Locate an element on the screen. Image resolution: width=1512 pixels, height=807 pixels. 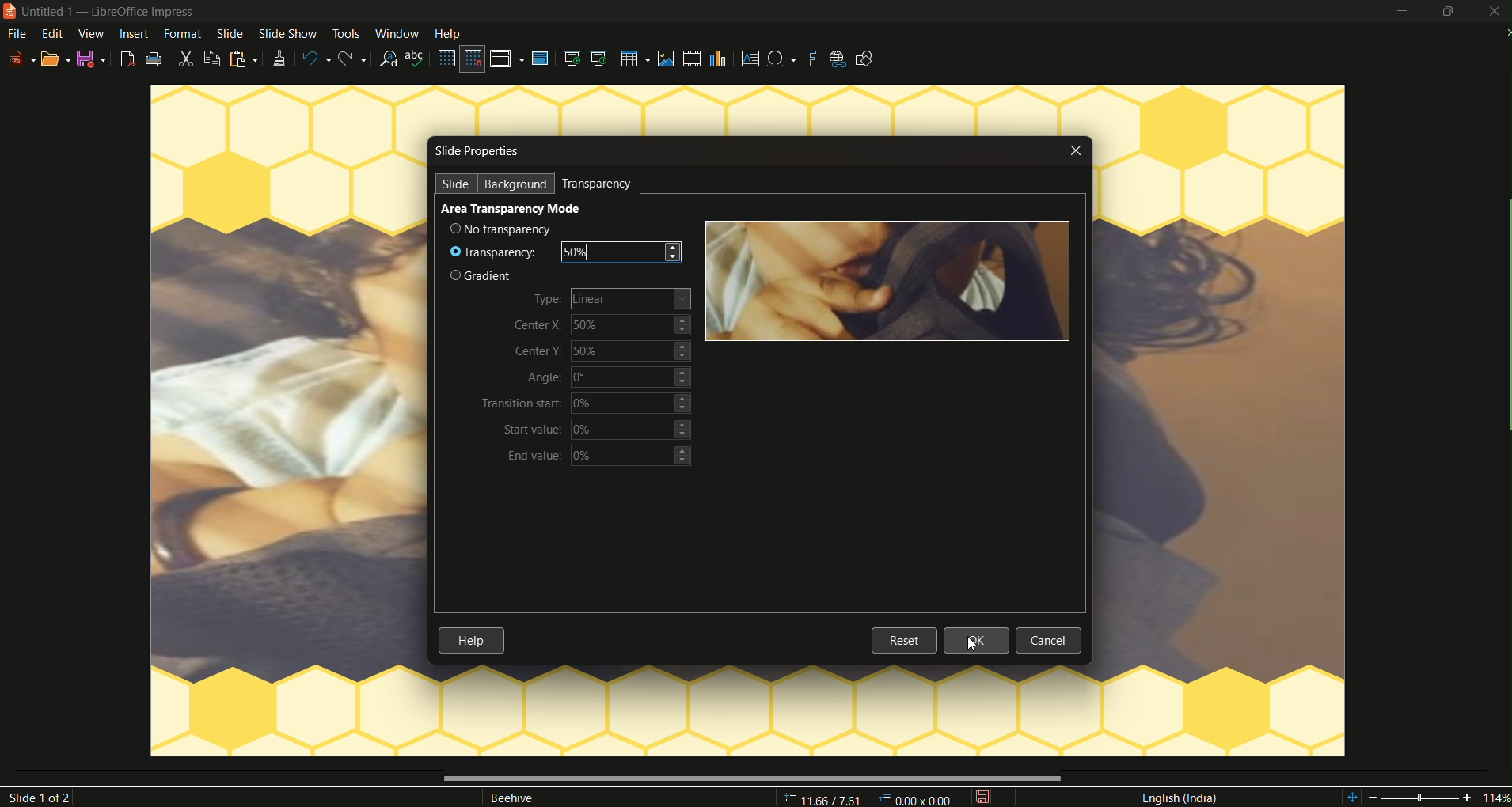
0% is located at coordinates (633, 403).